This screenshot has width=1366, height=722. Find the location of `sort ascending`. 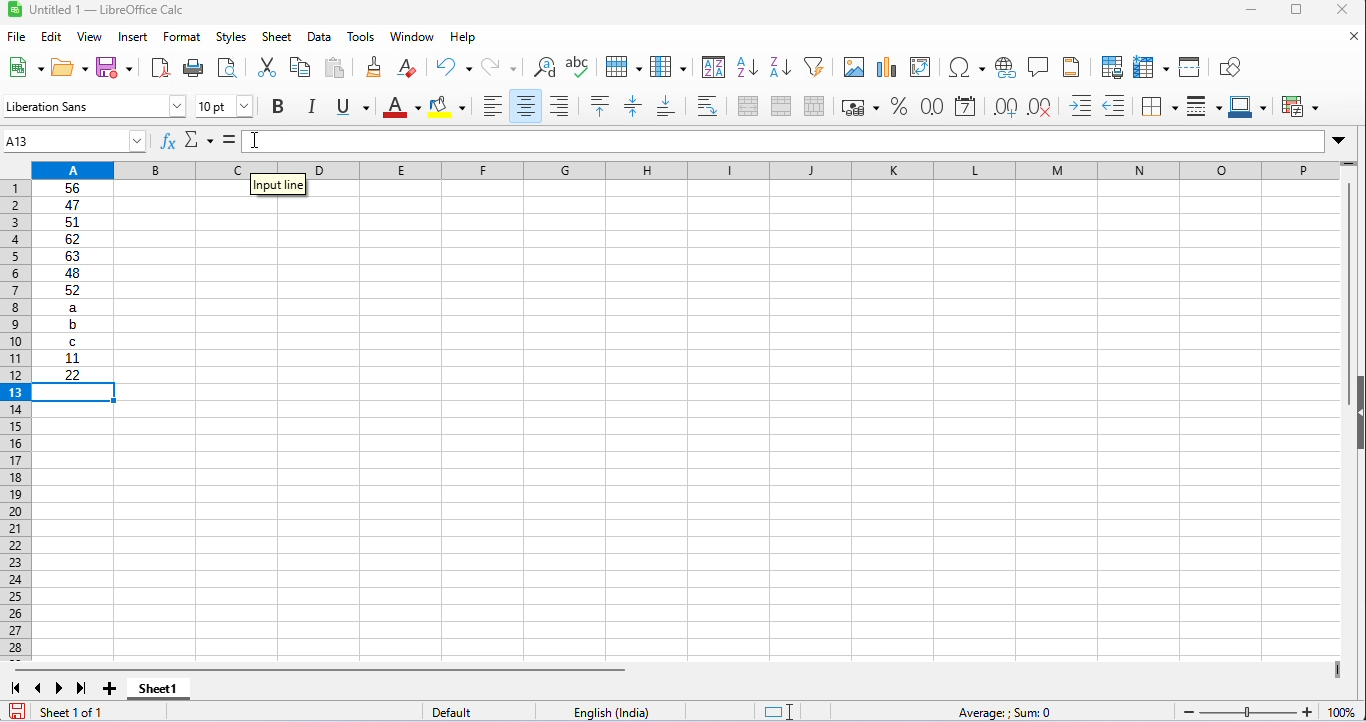

sort ascending is located at coordinates (746, 68).